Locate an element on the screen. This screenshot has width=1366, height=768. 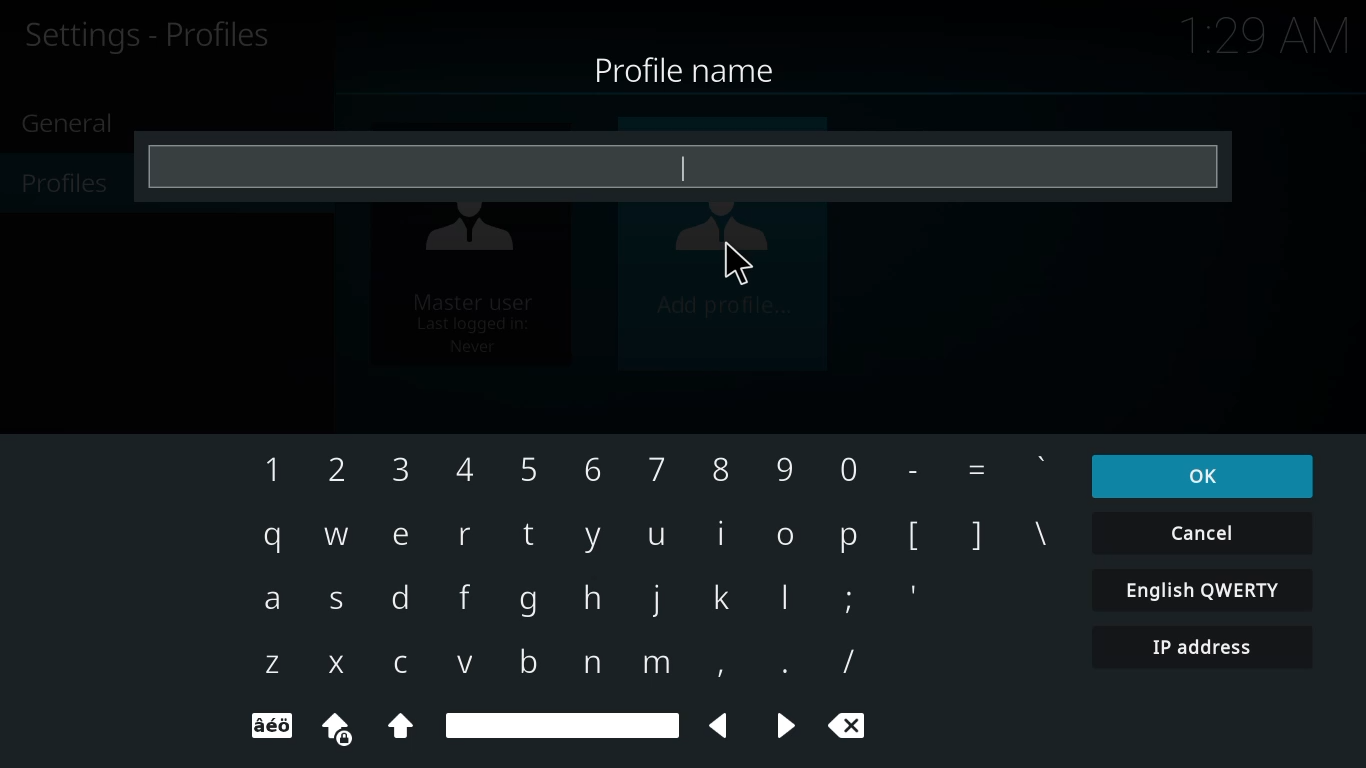
time is located at coordinates (1273, 35).